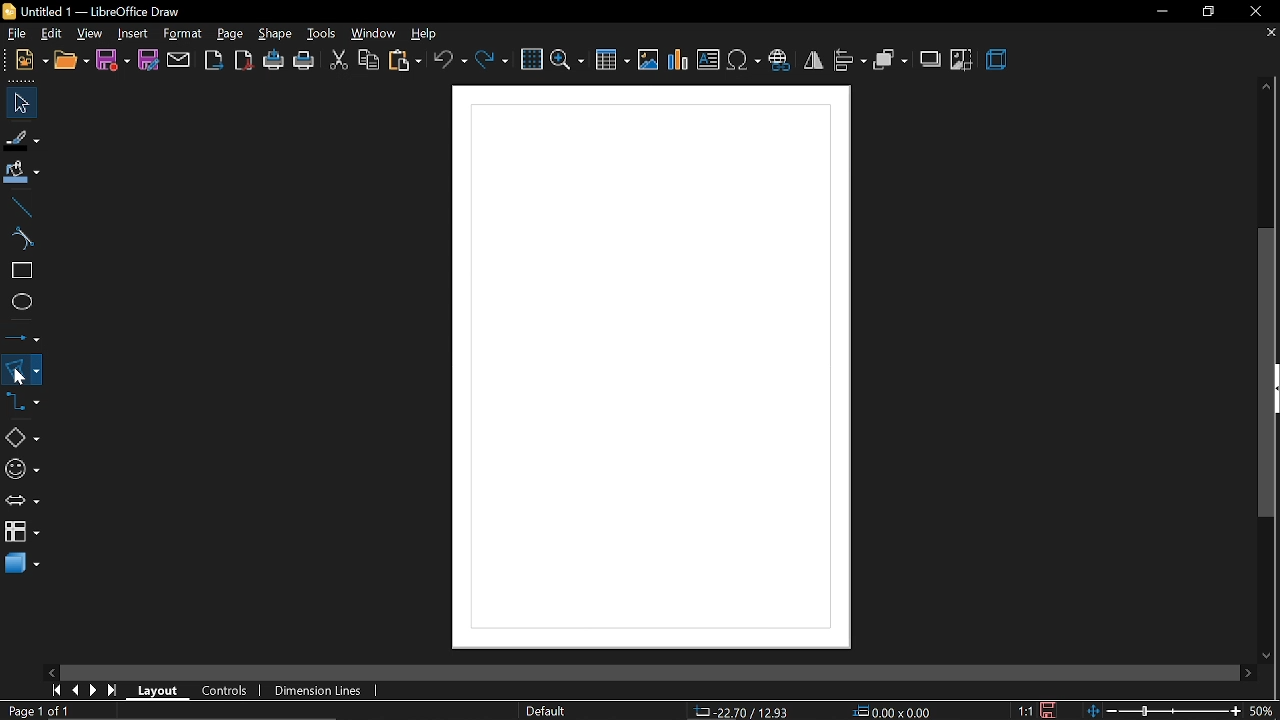 This screenshot has height=720, width=1280. Describe the element at coordinates (245, 61) in the screenshot. I see `export as pdf` at that location.